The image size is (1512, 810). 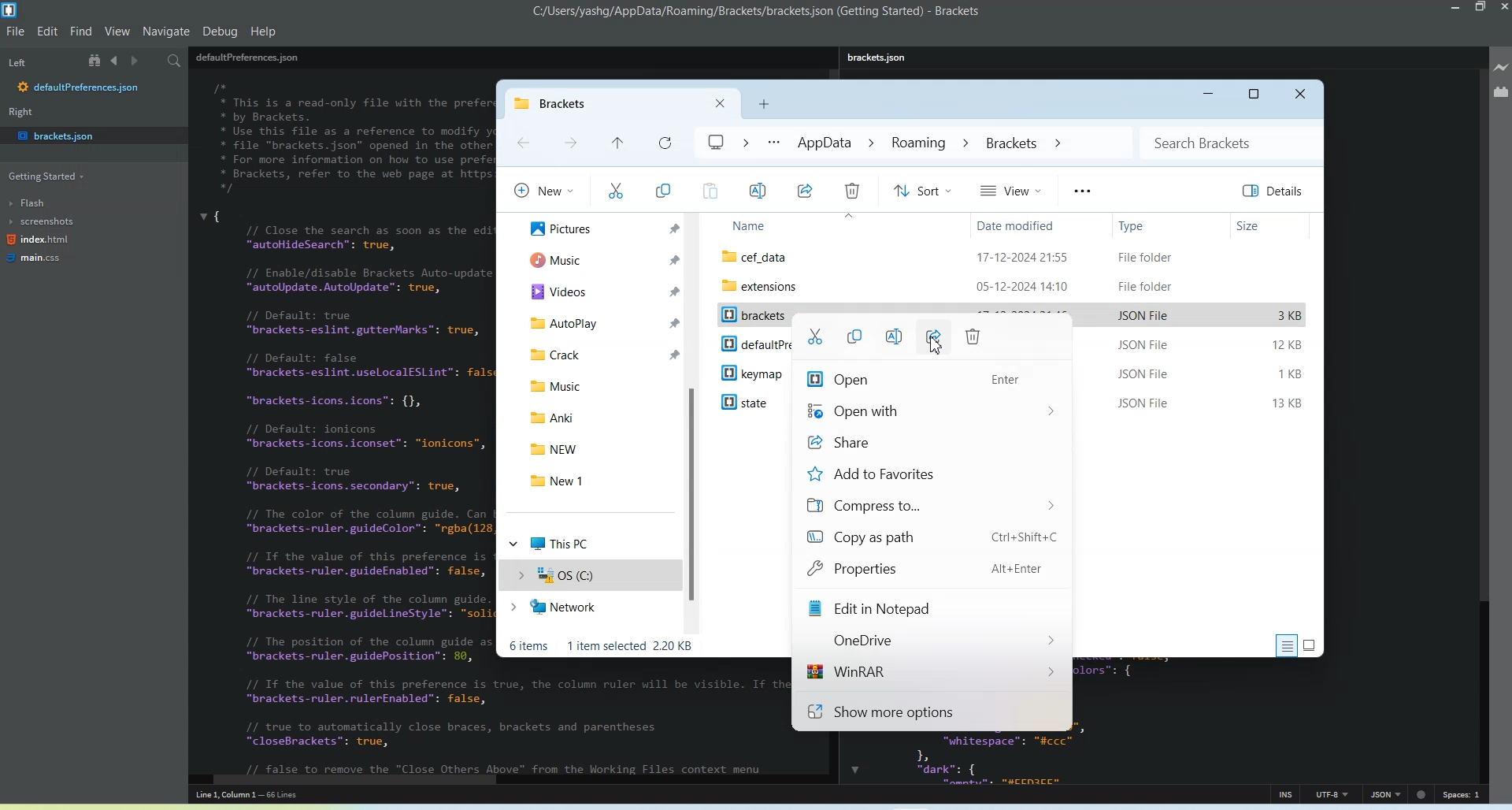 What do you see at coordinates (49, 30) in the screenshot?
I see `Edit` at bounding box center [49, 30].